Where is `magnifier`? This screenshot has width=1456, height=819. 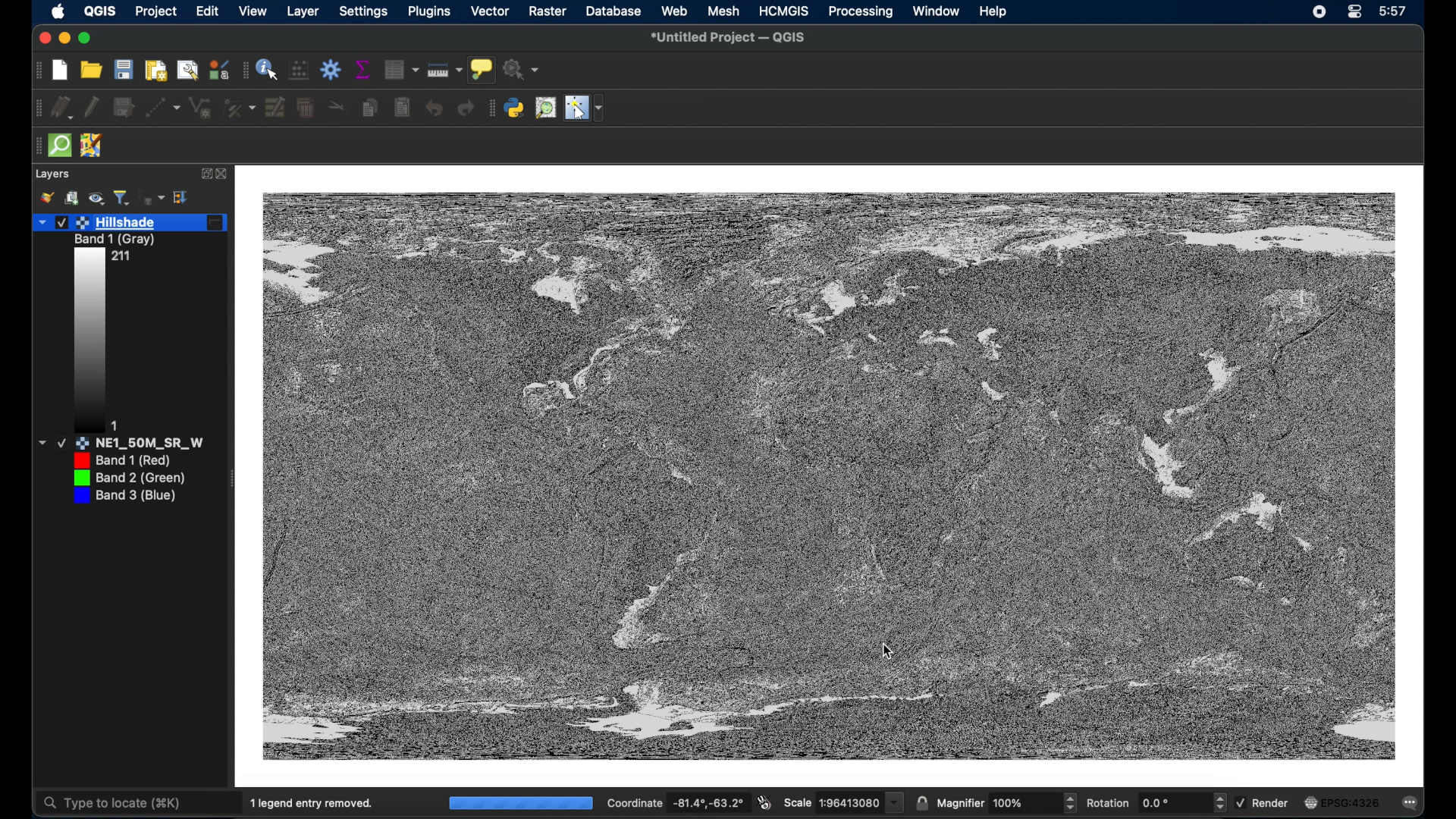
magnifier is located at coordinates (996, 803).